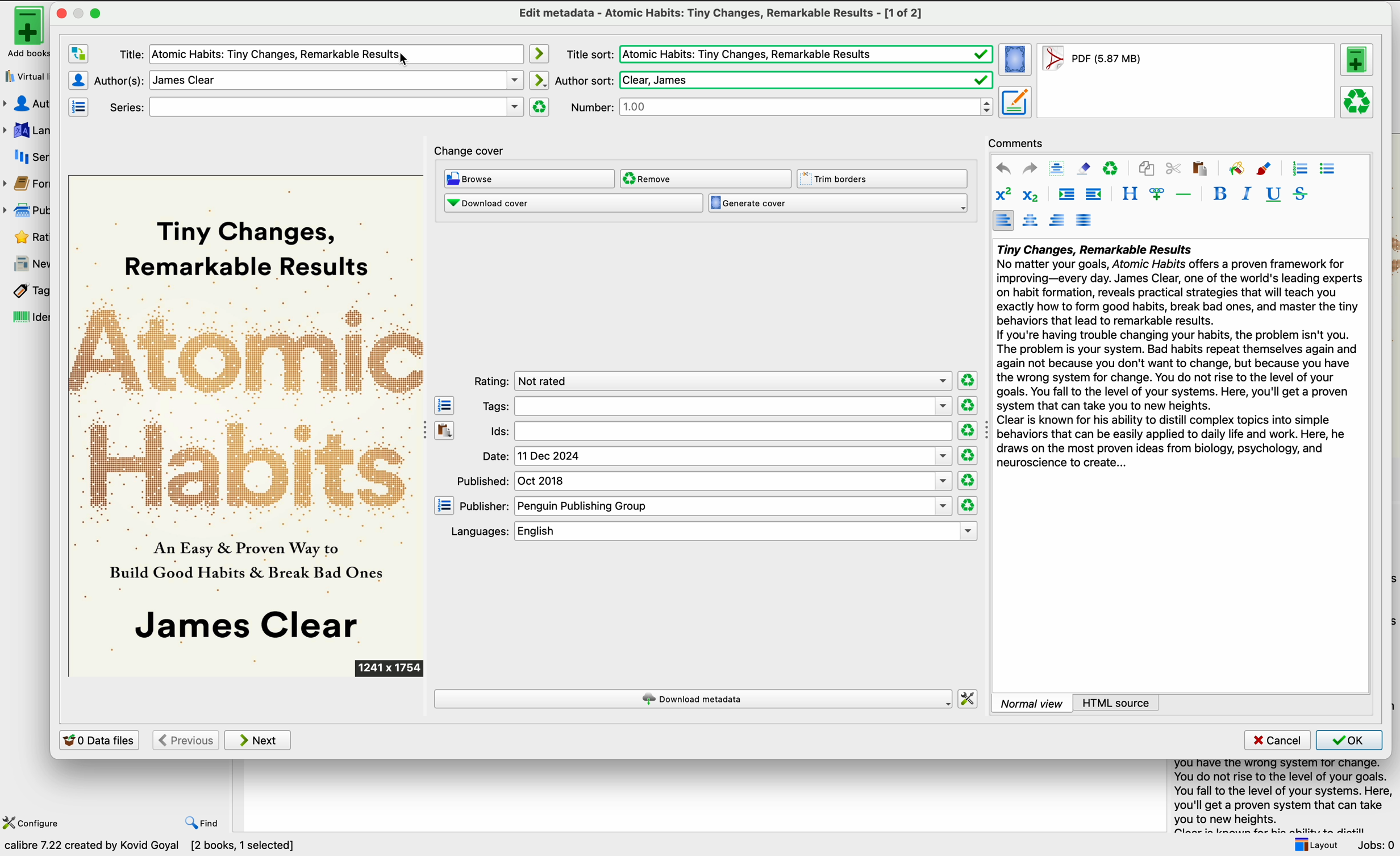  Describe the element at coordinates (1349, 740) in the screenshot. I see `OK button` at that location.